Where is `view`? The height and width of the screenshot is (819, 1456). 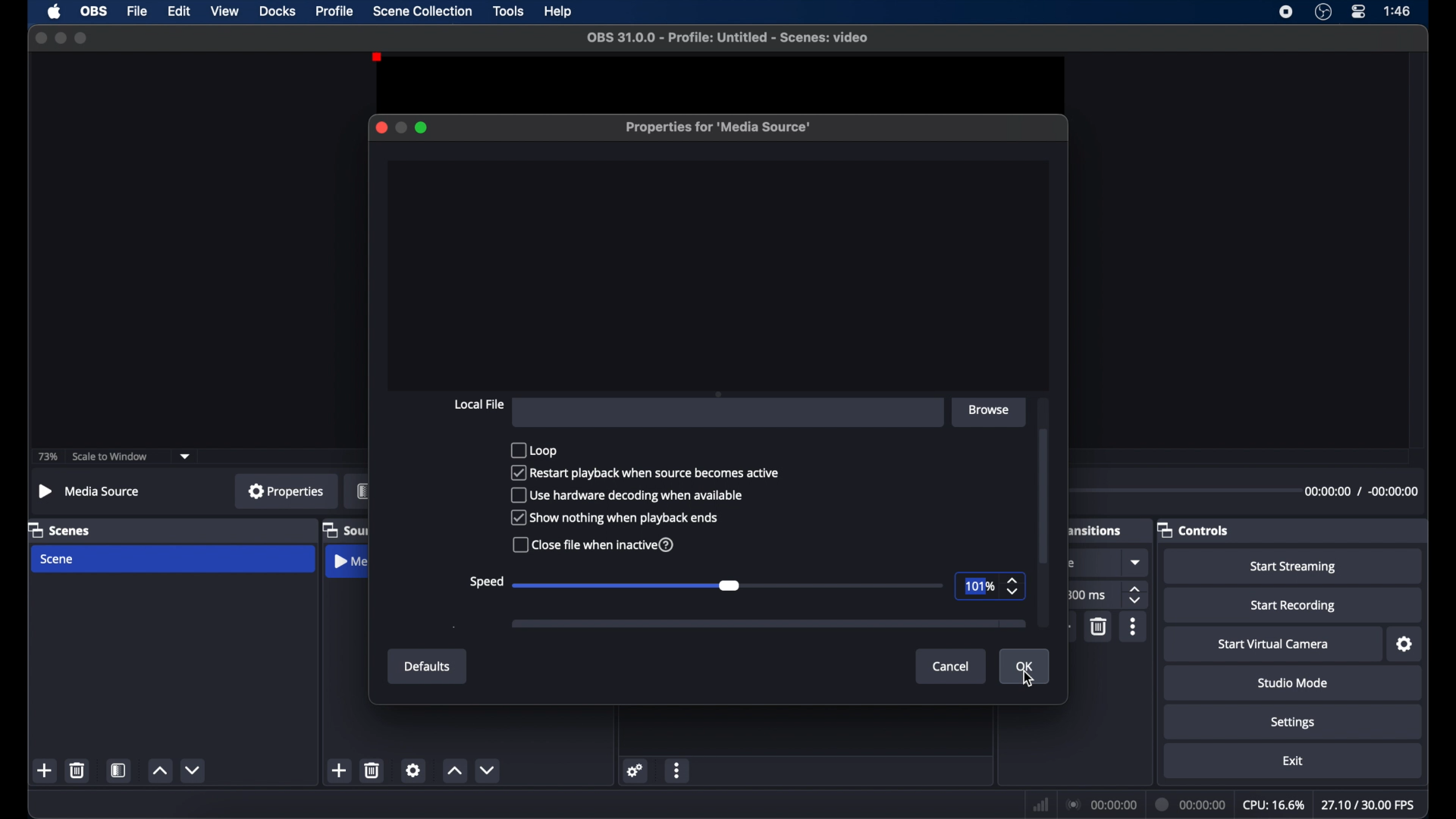
view is located at coordinates (224, 10).